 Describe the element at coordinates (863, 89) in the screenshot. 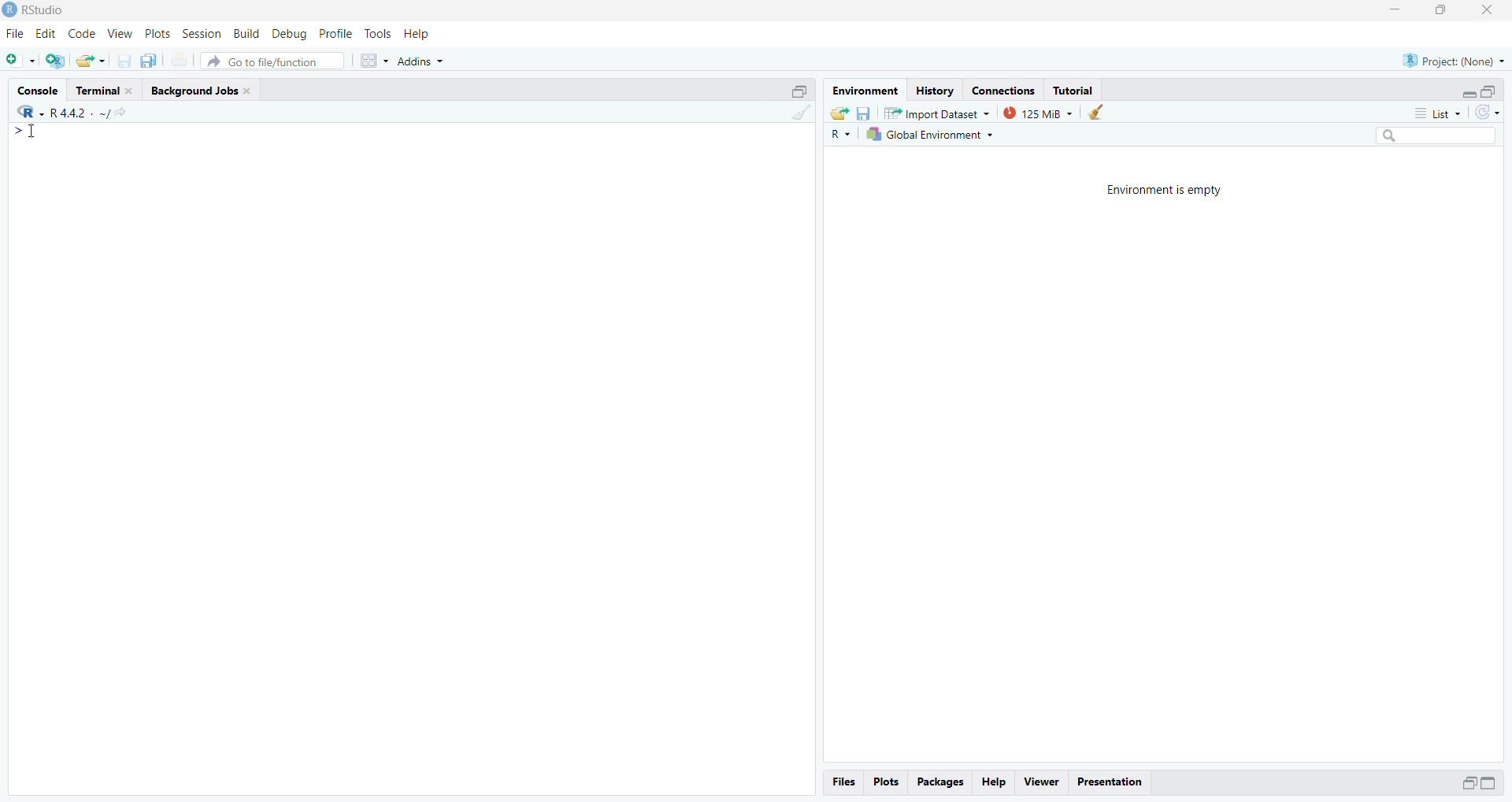

I see `Environment` at that location.